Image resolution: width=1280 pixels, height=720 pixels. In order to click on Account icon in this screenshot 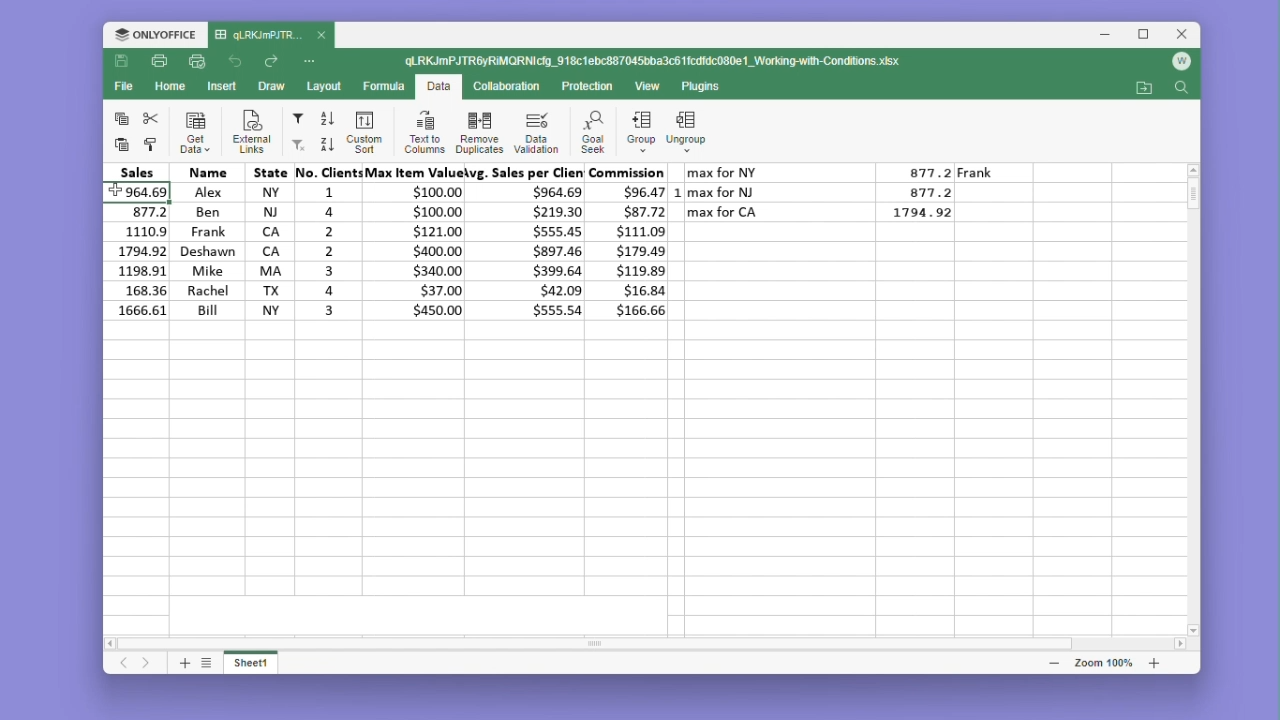, I will do `click(1181, 62)`.